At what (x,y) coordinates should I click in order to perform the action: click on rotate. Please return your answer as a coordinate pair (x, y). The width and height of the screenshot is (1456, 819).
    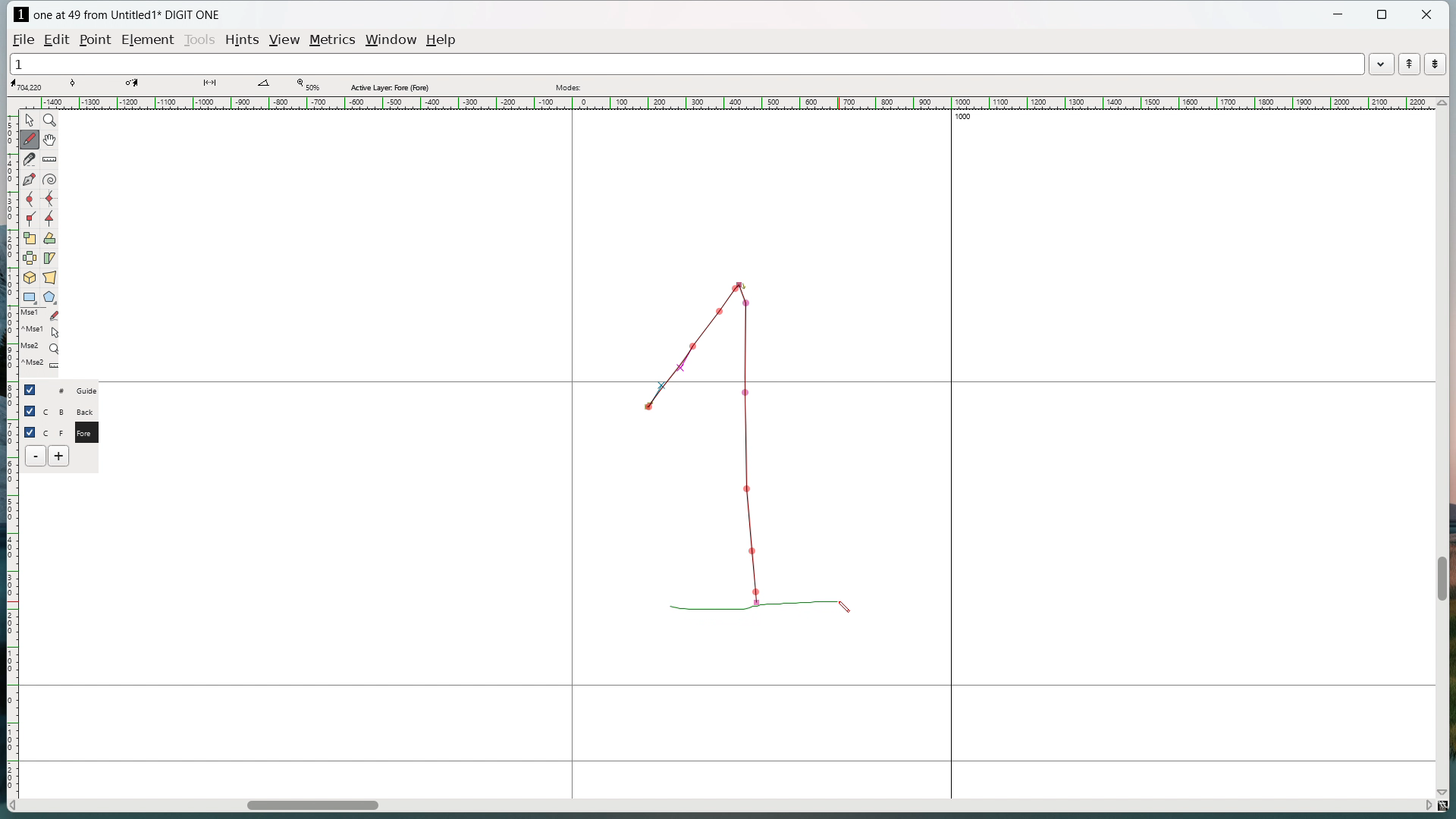
    Looking at the image, I should click on (49, 238).